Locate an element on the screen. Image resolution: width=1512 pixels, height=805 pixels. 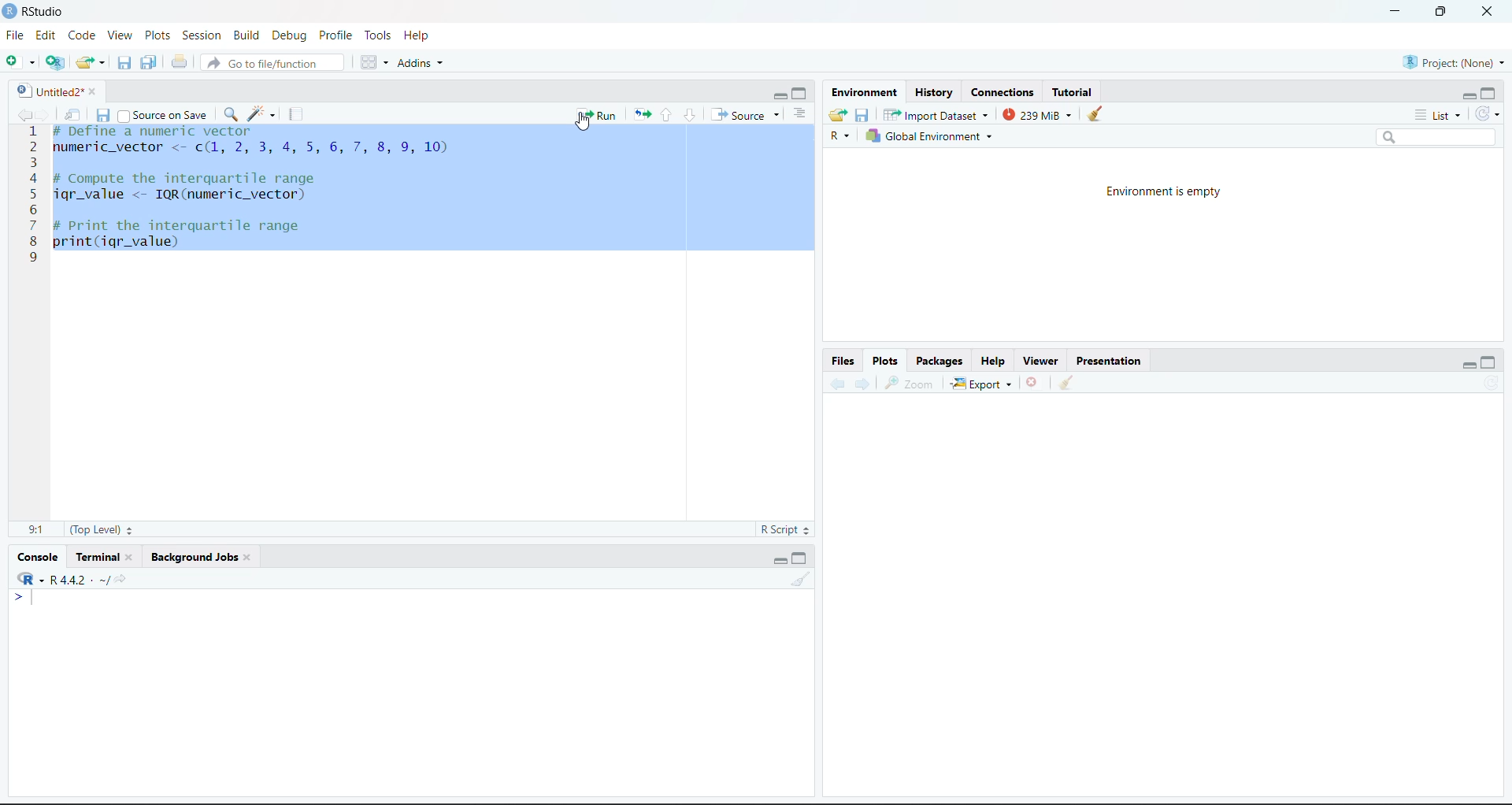
Terminal is located at coordinates (105, 557).